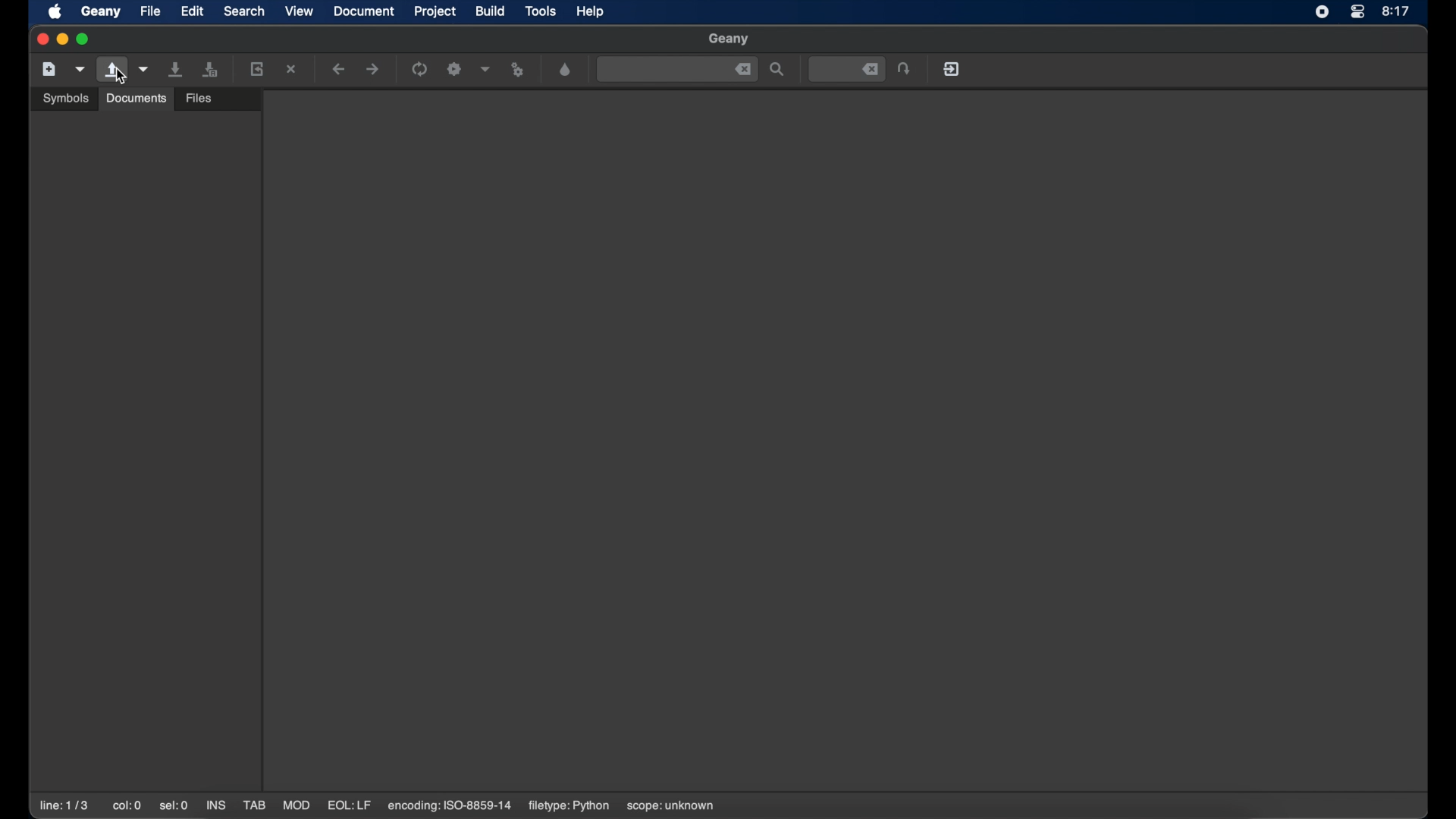 This screenshot has width=1456, height=819. I want to click on file, so click(150, 11).